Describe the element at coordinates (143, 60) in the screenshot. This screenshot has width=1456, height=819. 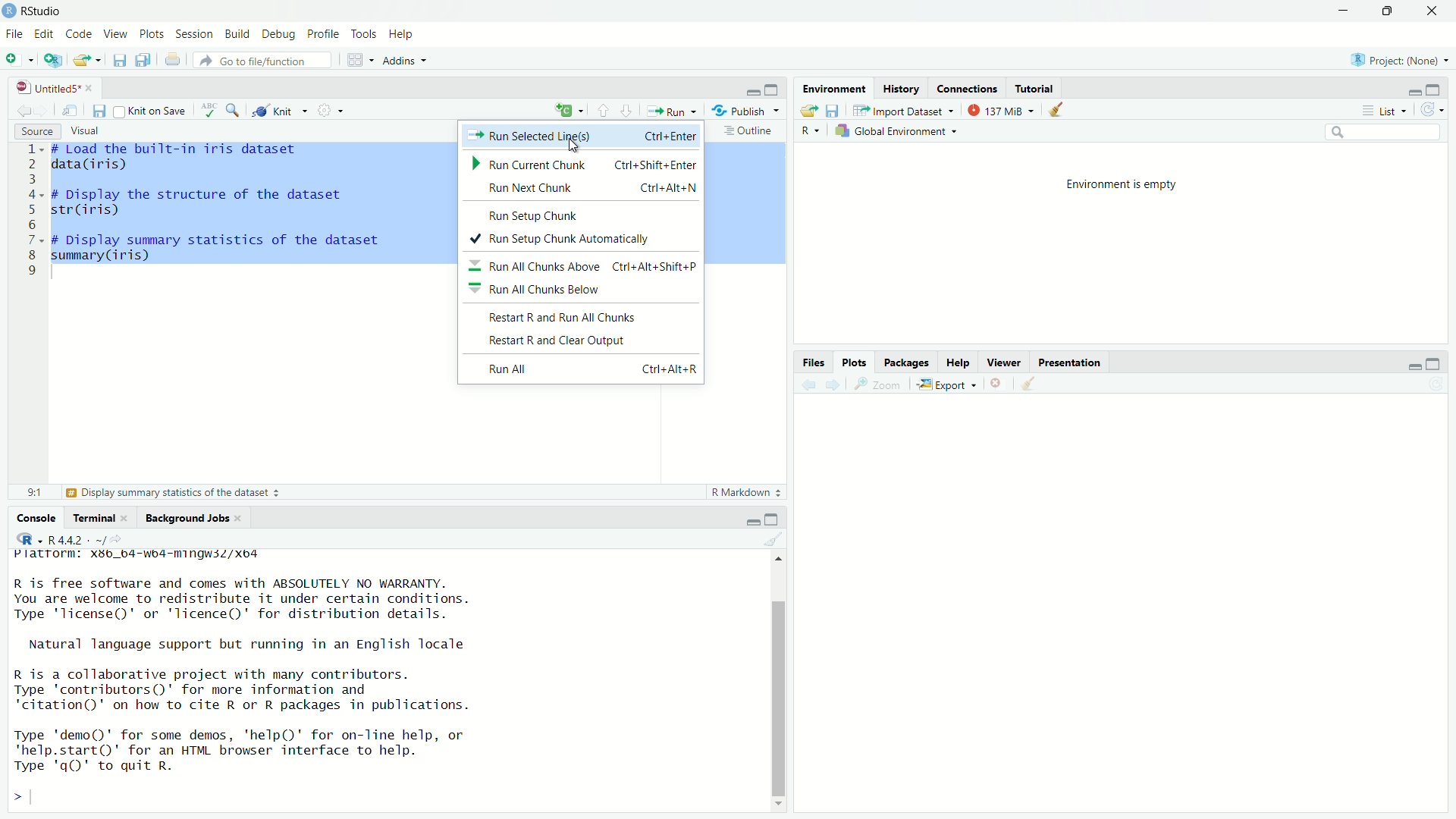
I see `Save all open files` at that location.